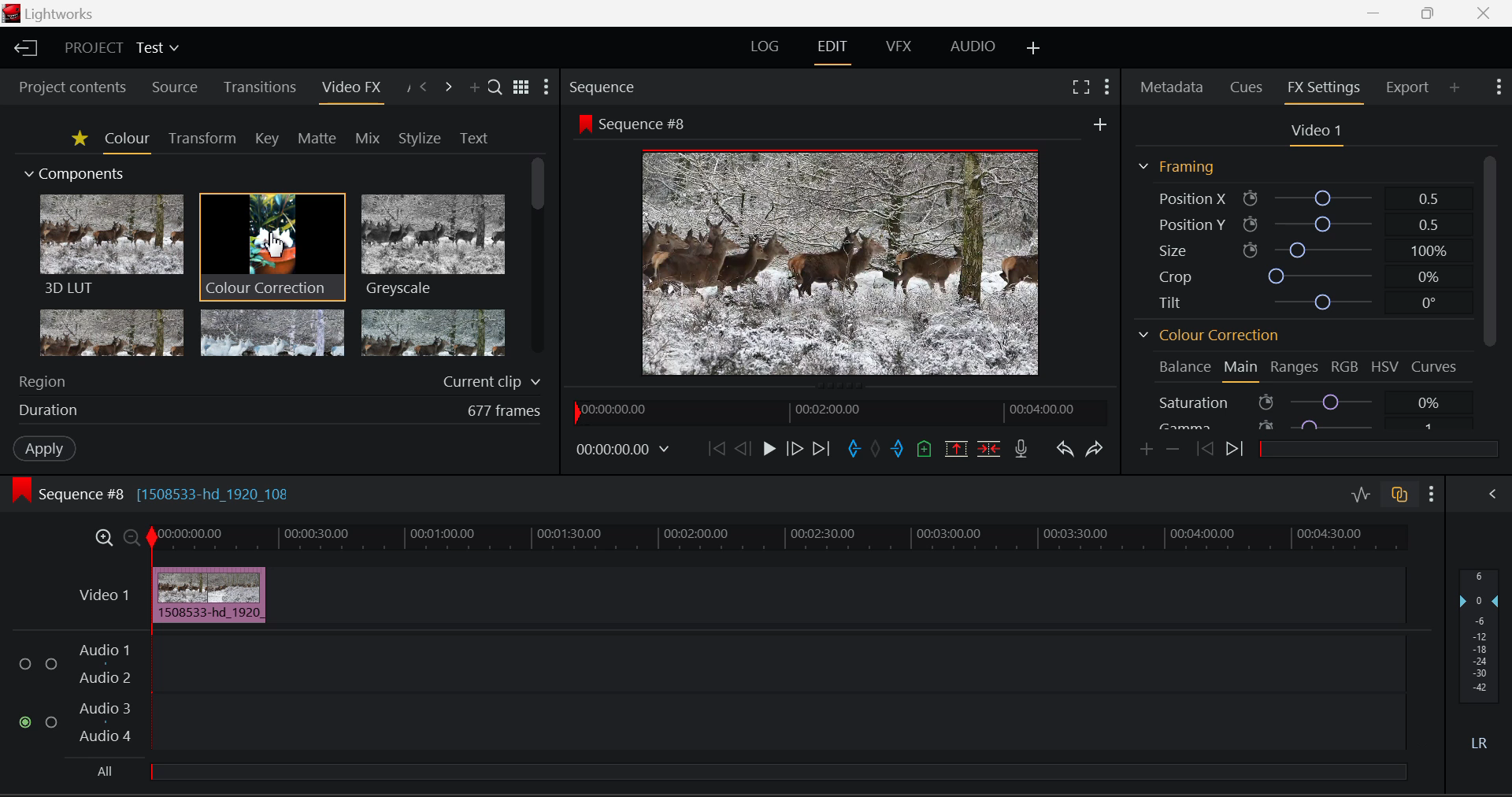 This screenshot has width=1512, height=797. I want to click on Project Title, so click(120, 48).